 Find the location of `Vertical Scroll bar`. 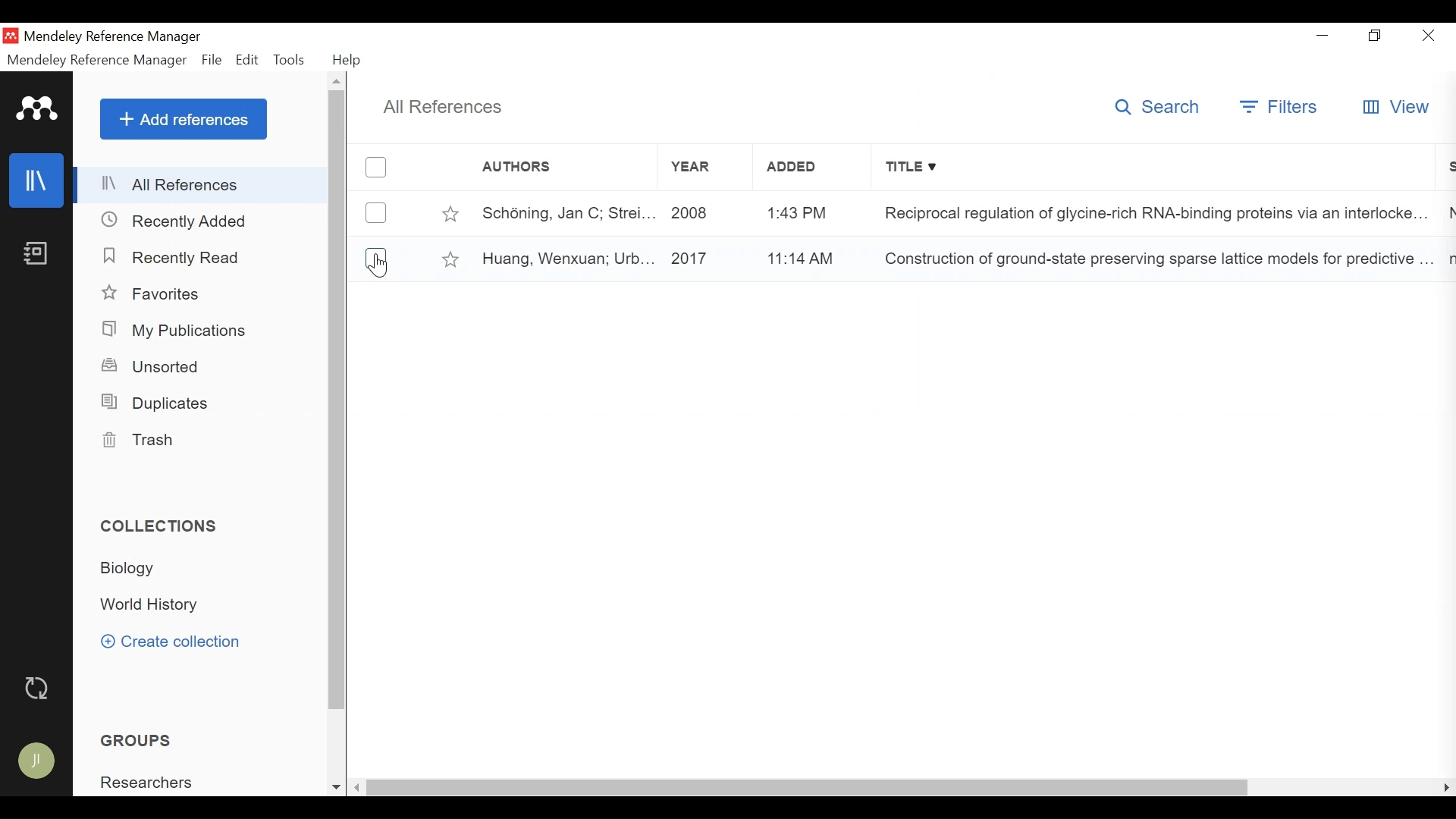

Vertical Scroll bar is located at coordinates (339, 402).